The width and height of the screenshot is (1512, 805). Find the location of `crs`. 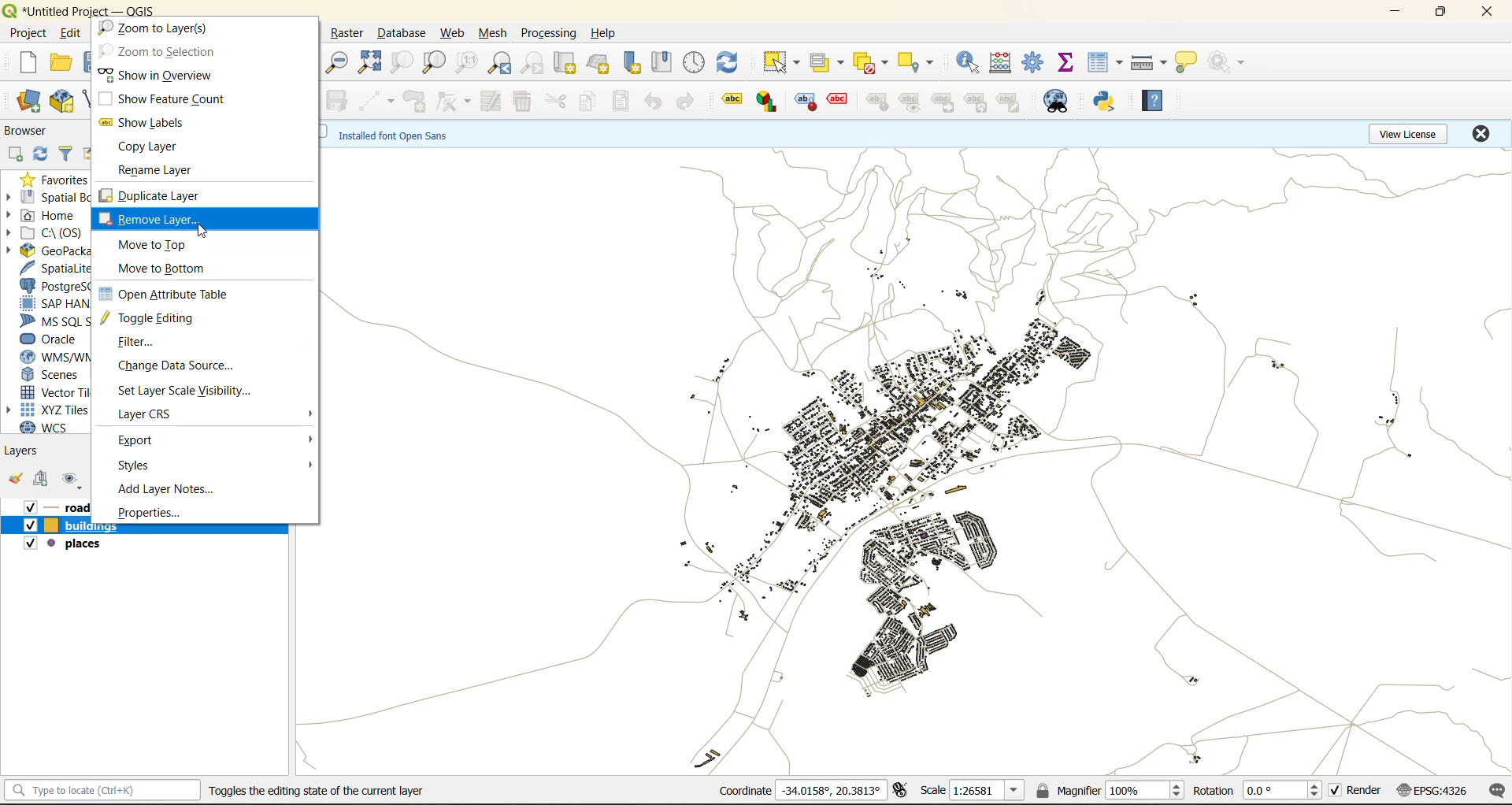

crs is located at coordinates (1436, 789).